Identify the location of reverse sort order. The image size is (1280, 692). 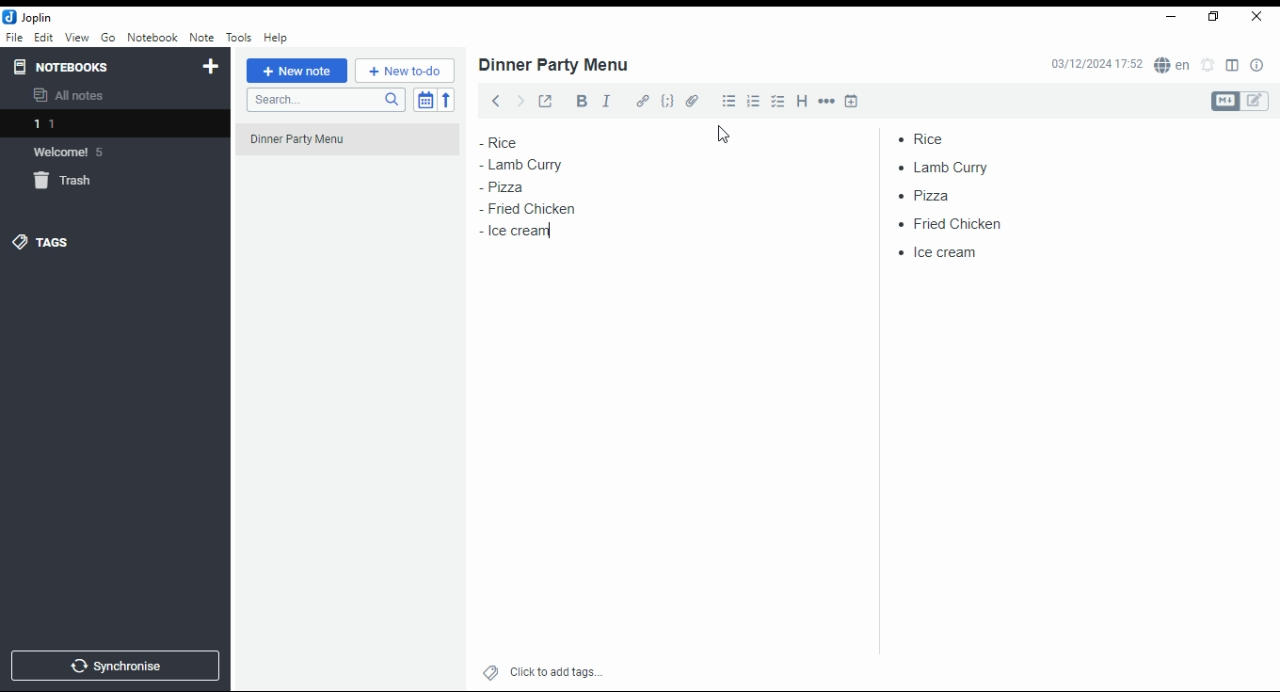
(448, 99).